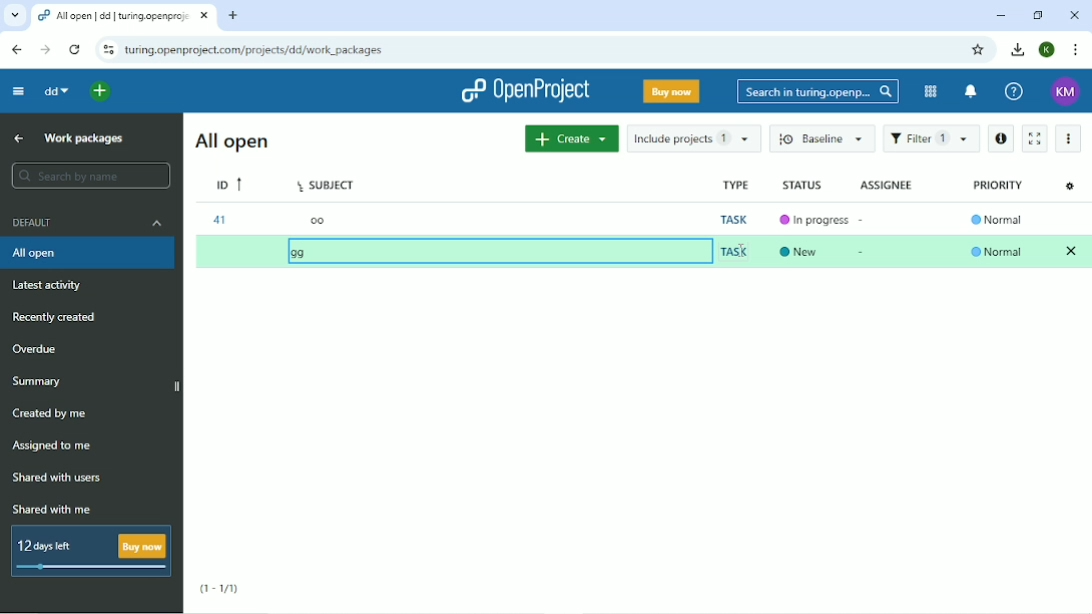  What do you see at coordinates (801, 186) in the screenshot?
I see `Status` at bounding box center [801, 186].